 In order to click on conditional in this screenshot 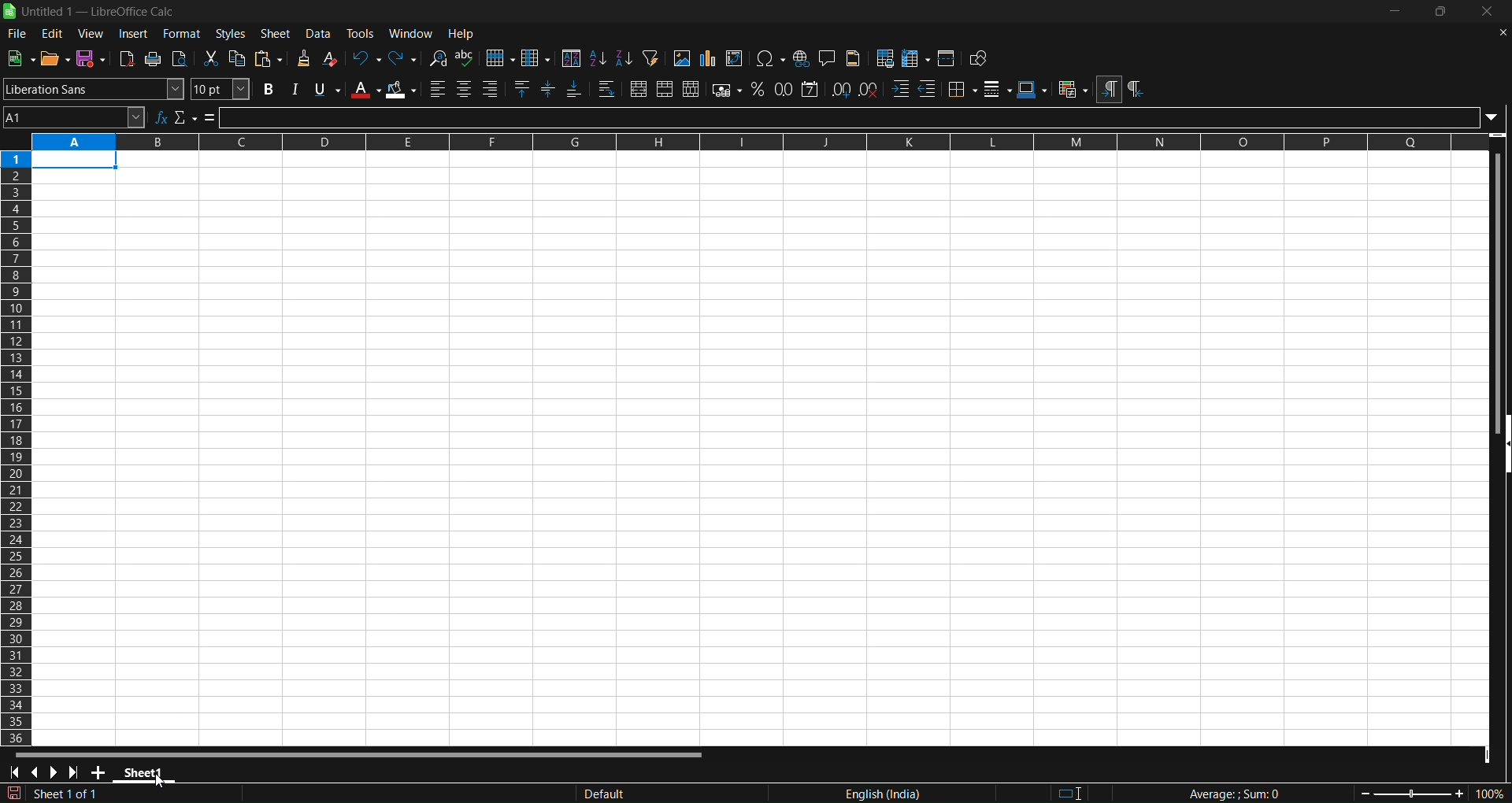, I will do `click(1072, 90)`.